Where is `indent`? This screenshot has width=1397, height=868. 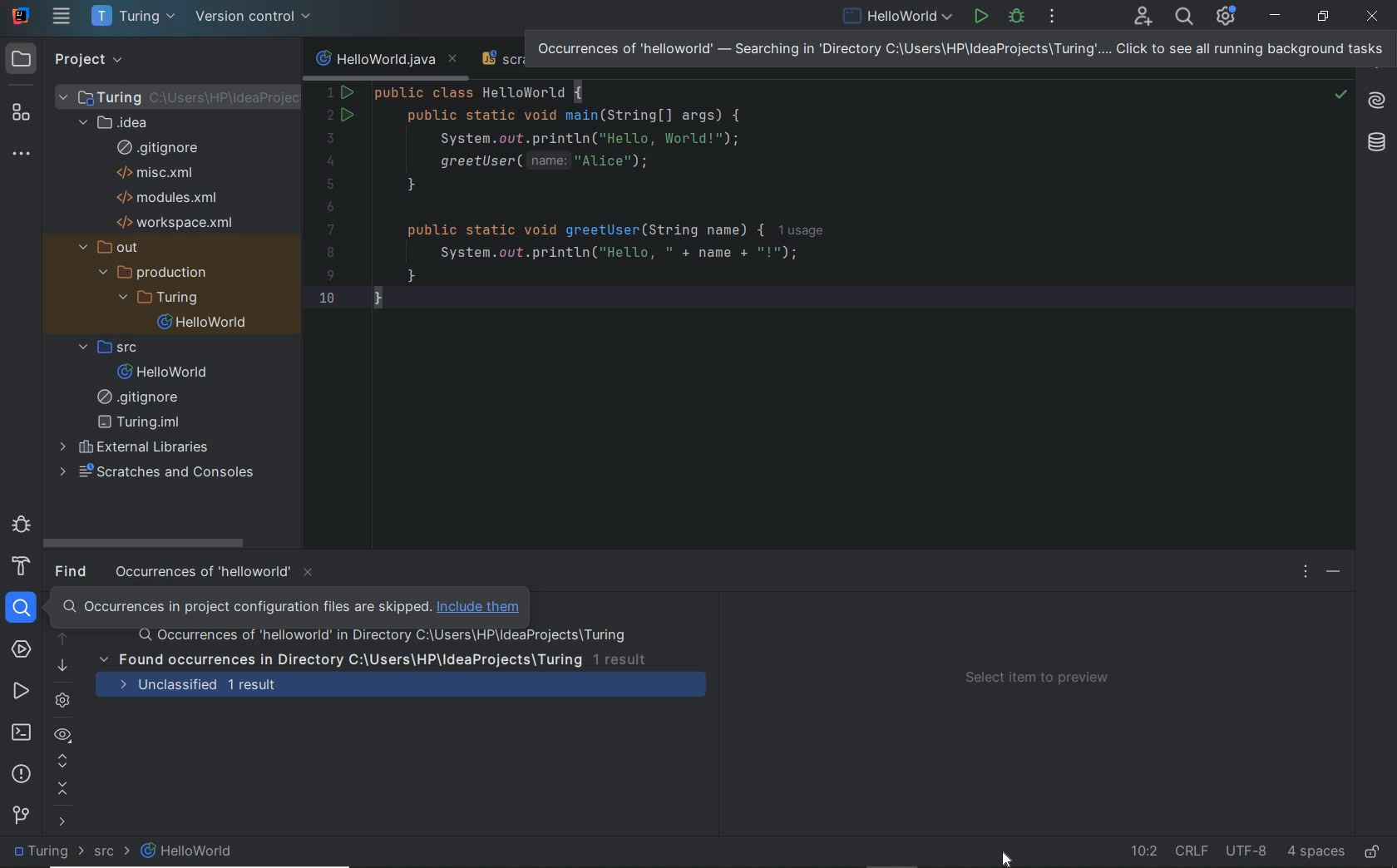 indent is located at coordinates (1314, 853).